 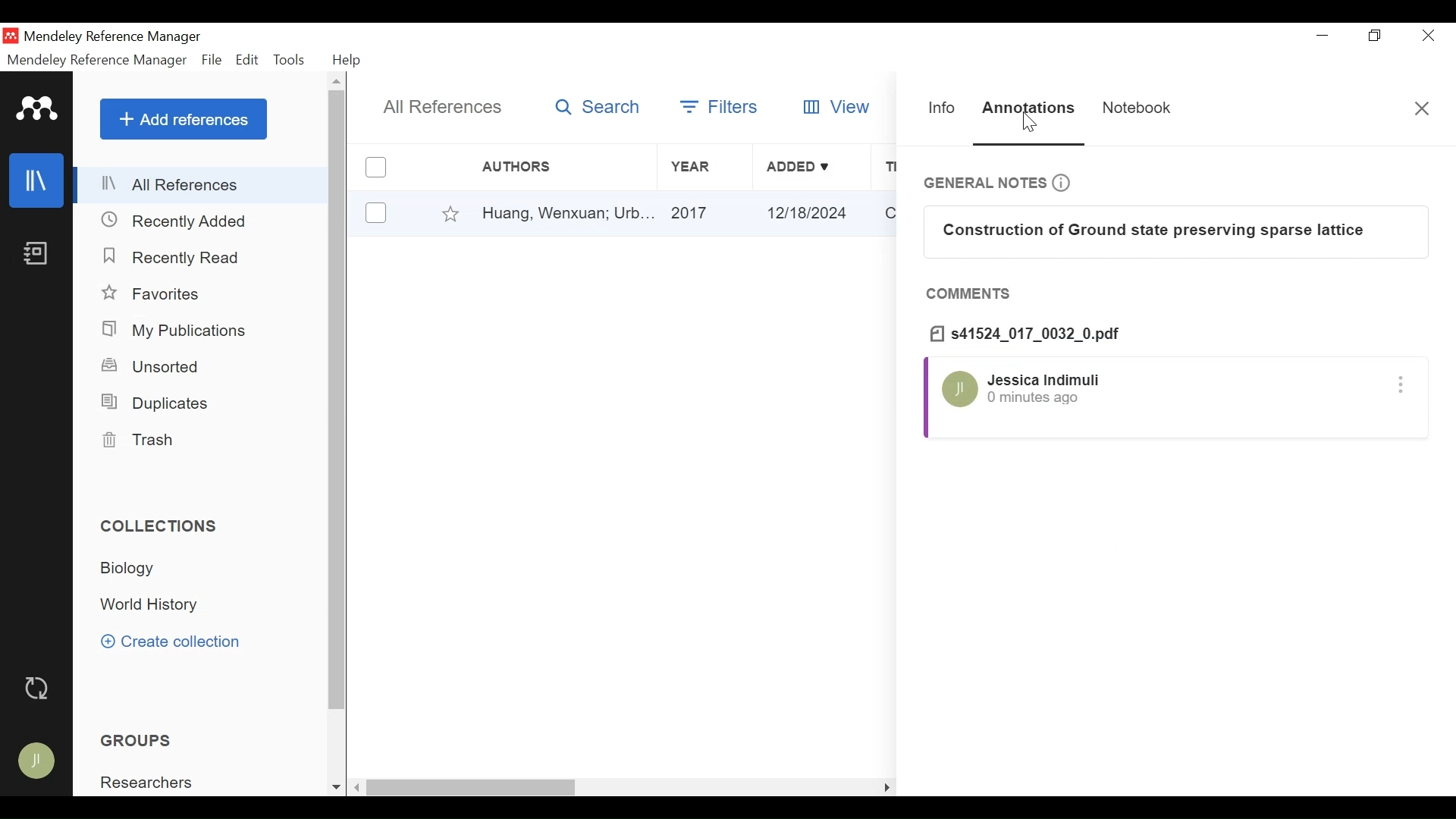 I want to click on Scroll up, so click(x=339, y=80).